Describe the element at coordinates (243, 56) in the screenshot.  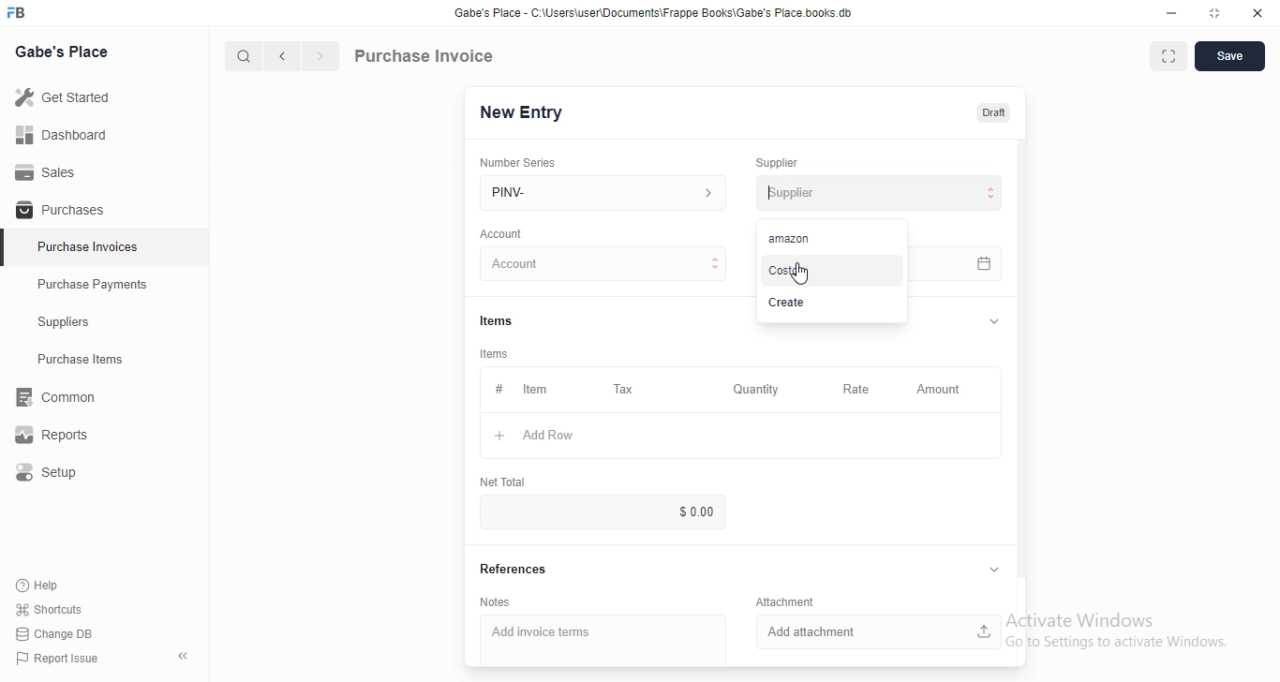
I see `Search` at that location.